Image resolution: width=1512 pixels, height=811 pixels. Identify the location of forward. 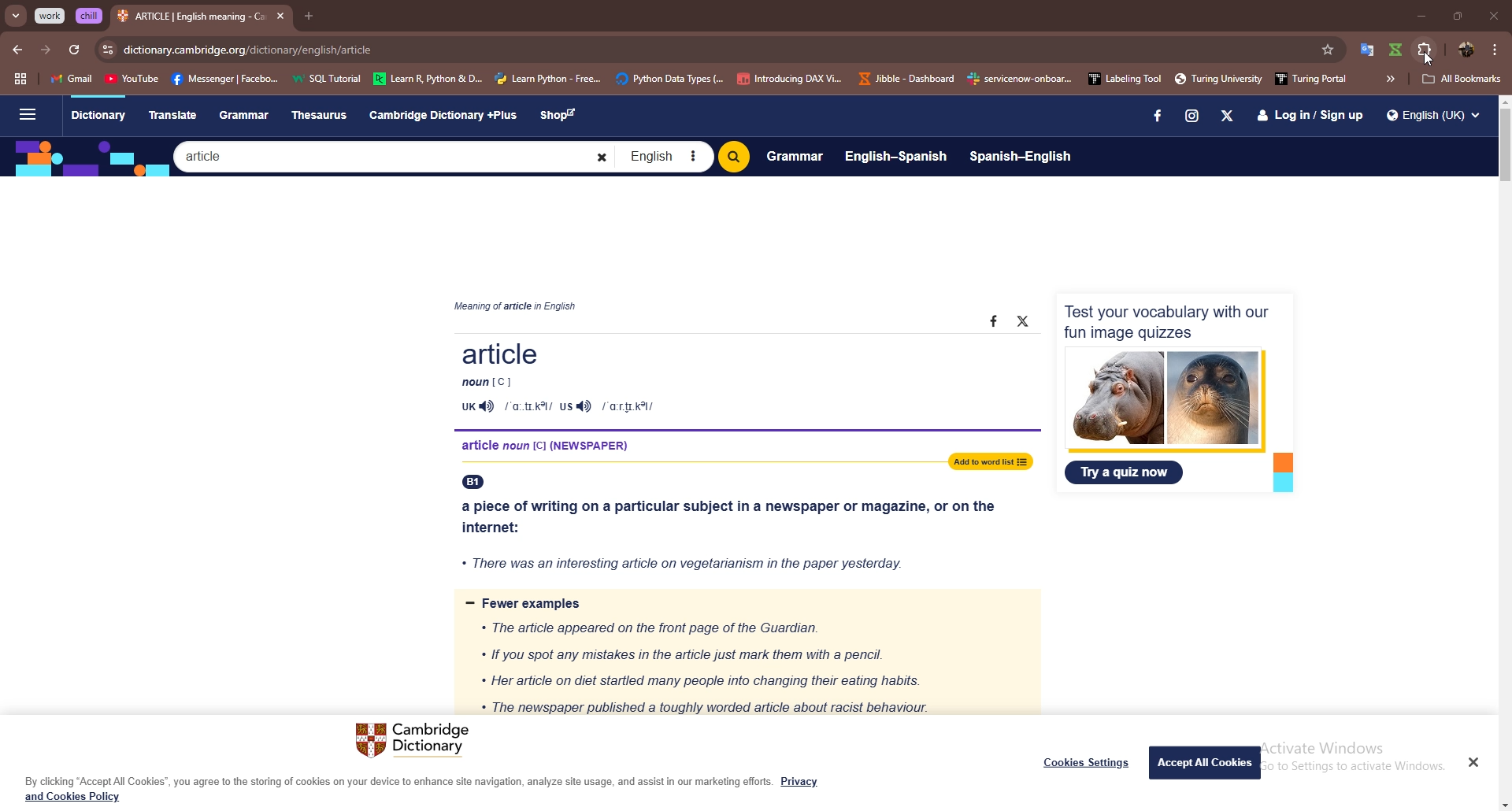
(45, 51).